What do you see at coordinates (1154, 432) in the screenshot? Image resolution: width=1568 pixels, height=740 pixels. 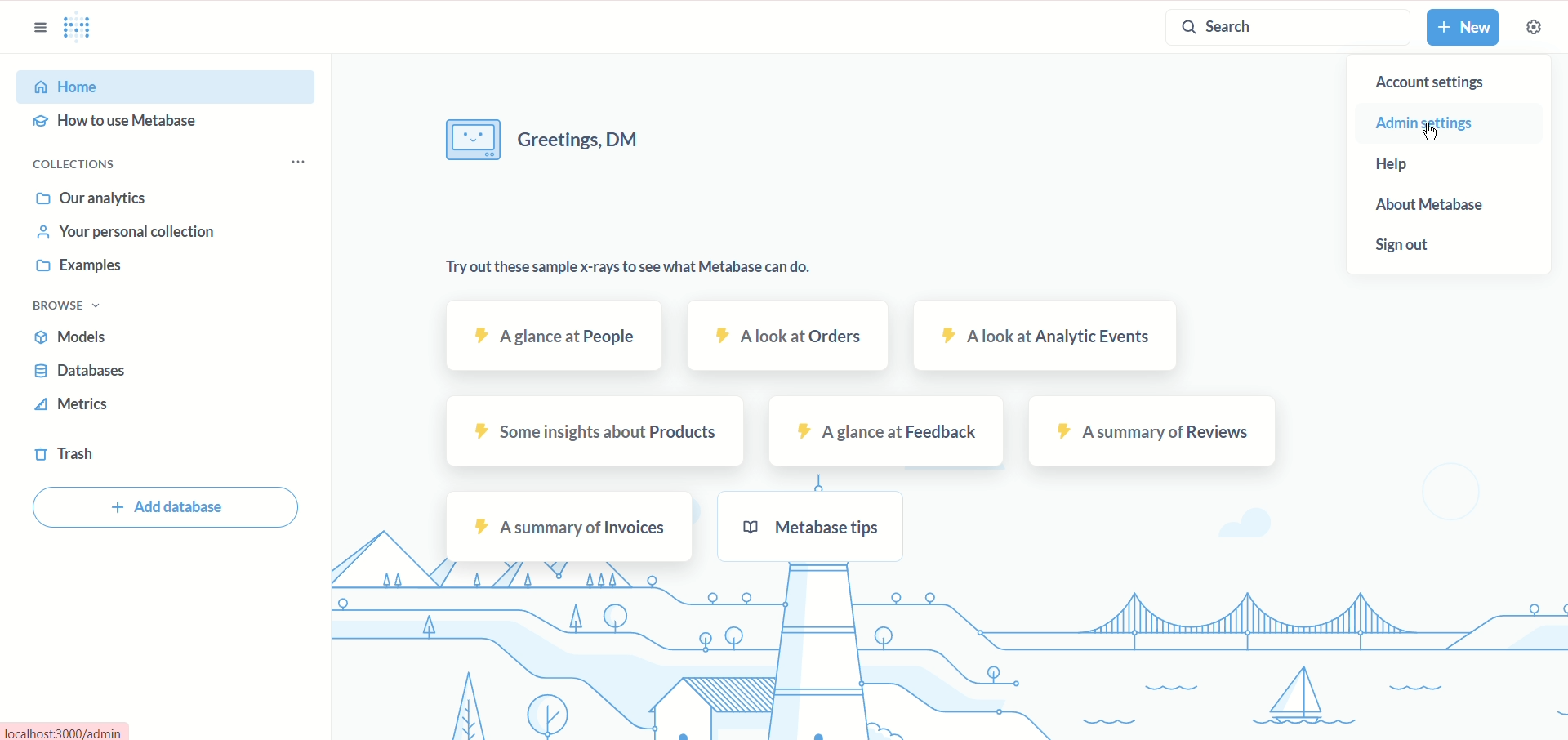 I see `a summary of Reviews` at bounding box center [1154, 432].